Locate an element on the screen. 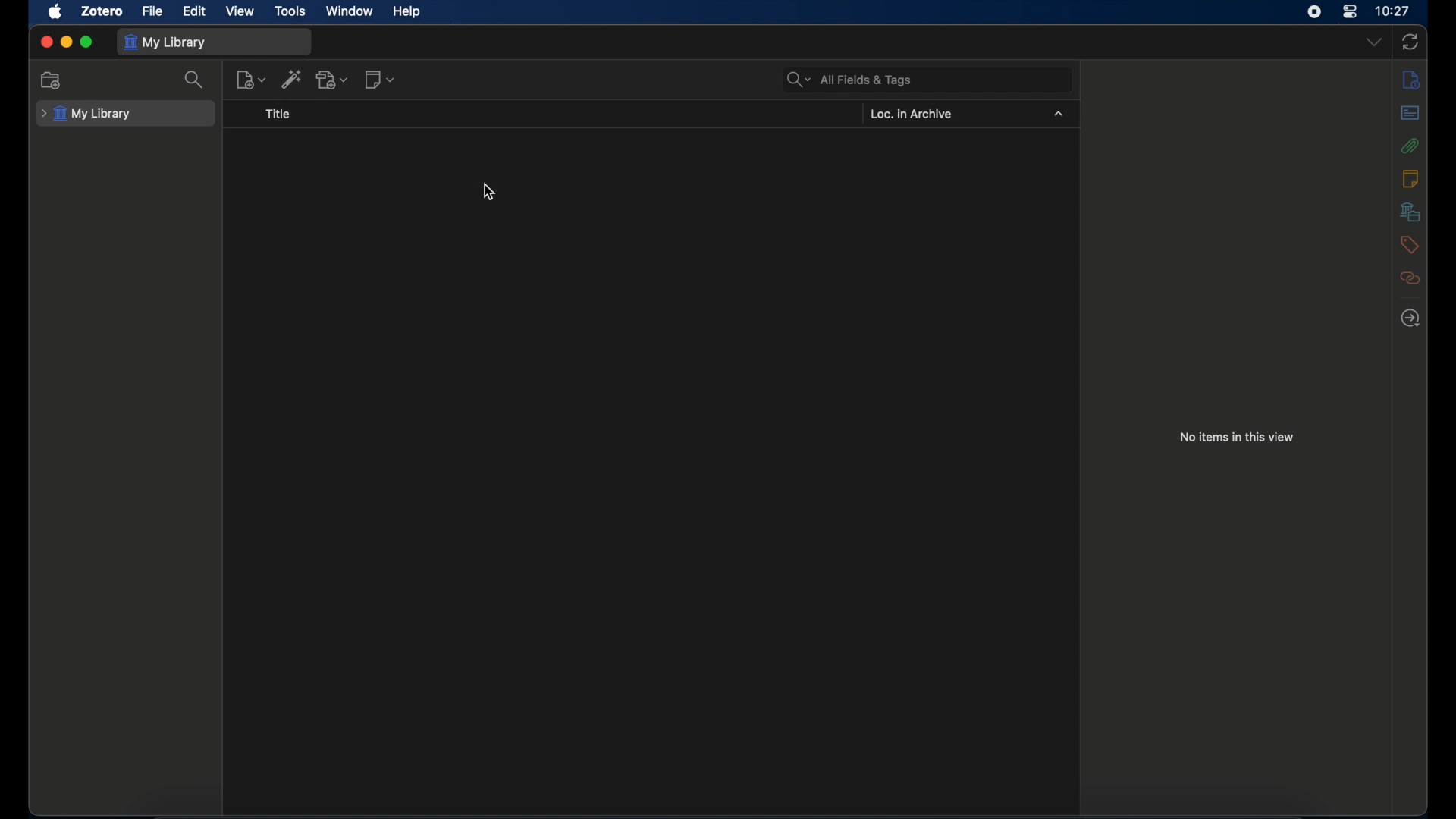  tools is located at coordinates (288, 11).